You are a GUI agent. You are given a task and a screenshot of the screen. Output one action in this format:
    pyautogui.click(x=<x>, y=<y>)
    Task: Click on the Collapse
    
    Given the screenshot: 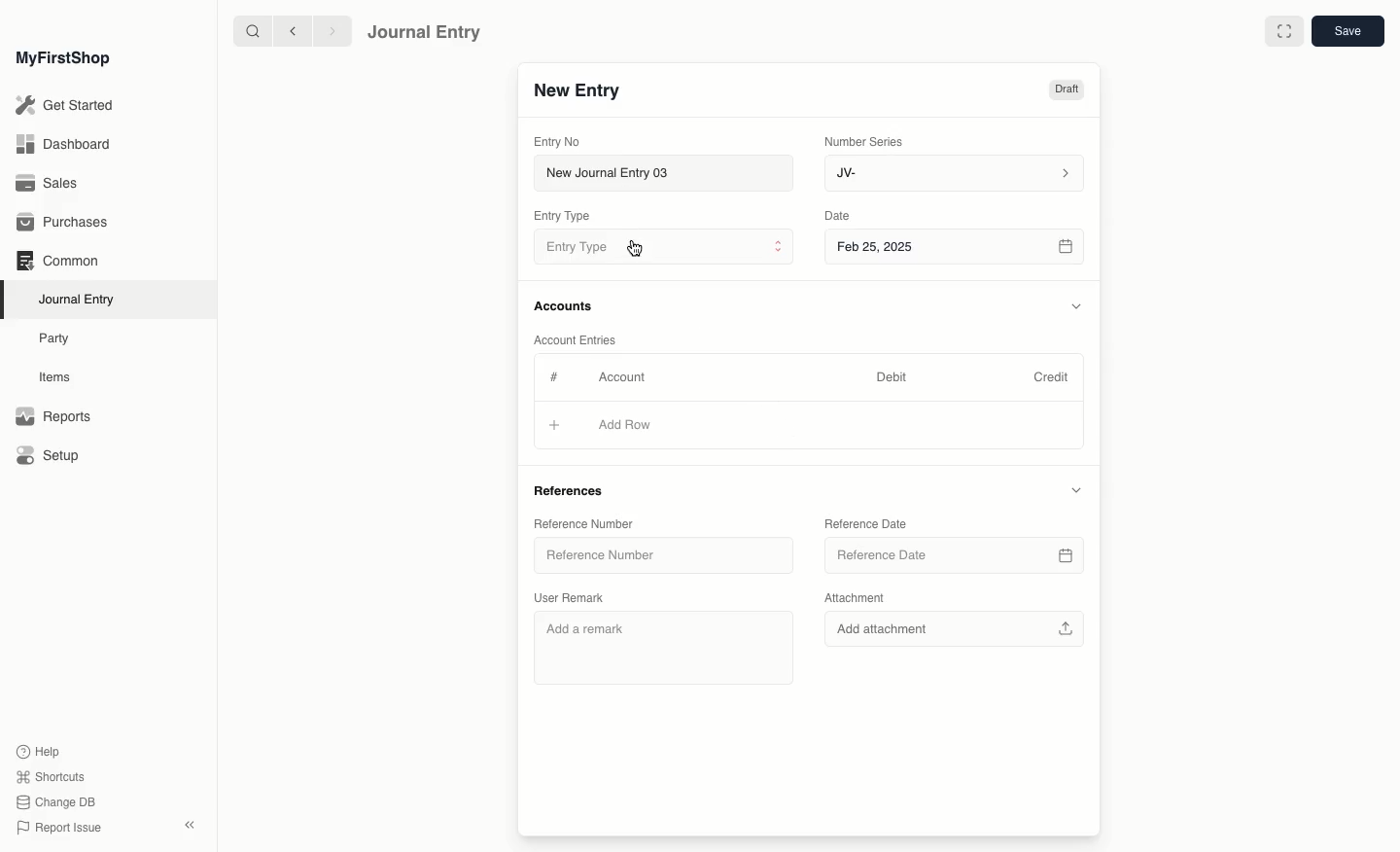 What is the action you would take?
    pyautogui.click(x=190, y=825)
    